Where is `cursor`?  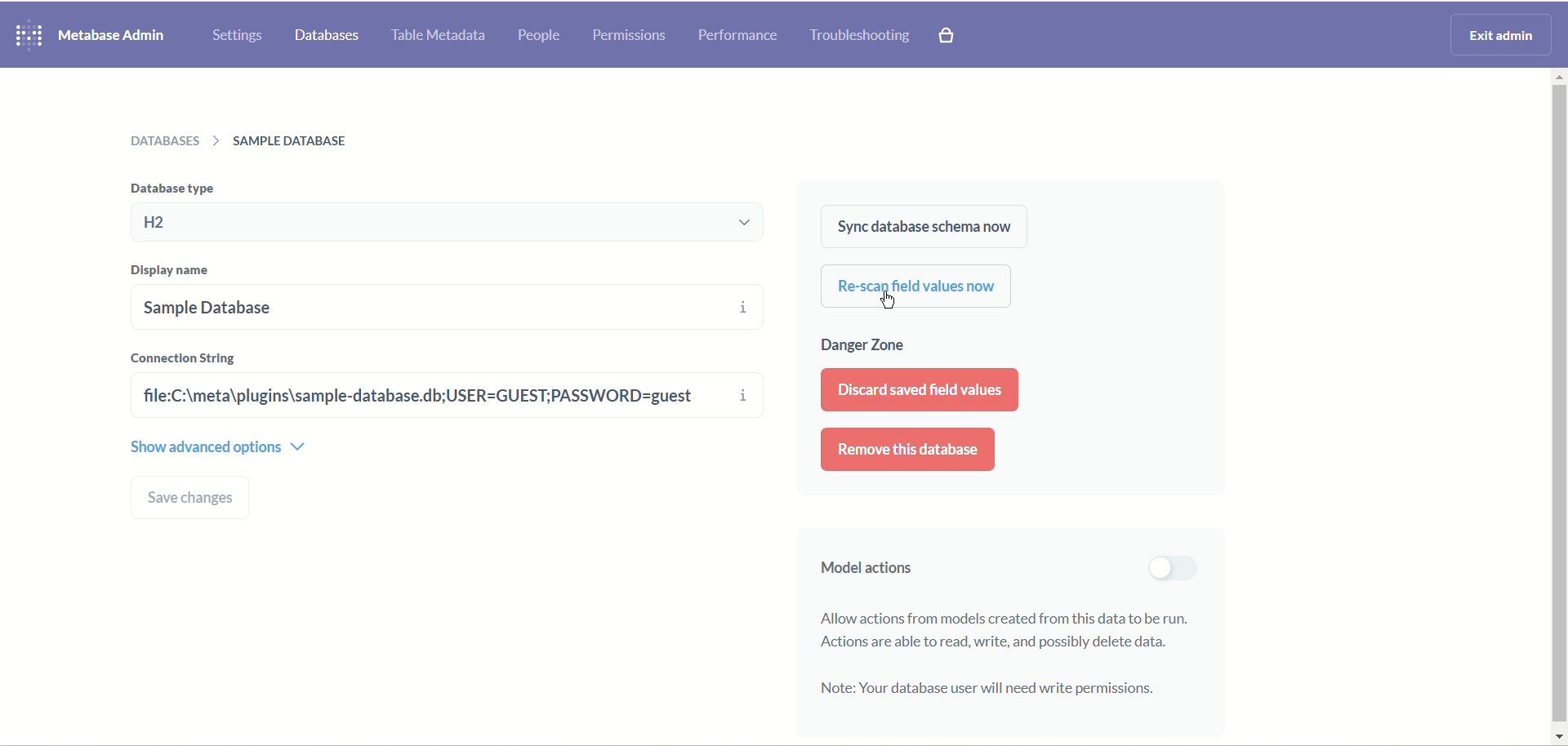
cursor is located at coordinates (893, 302).